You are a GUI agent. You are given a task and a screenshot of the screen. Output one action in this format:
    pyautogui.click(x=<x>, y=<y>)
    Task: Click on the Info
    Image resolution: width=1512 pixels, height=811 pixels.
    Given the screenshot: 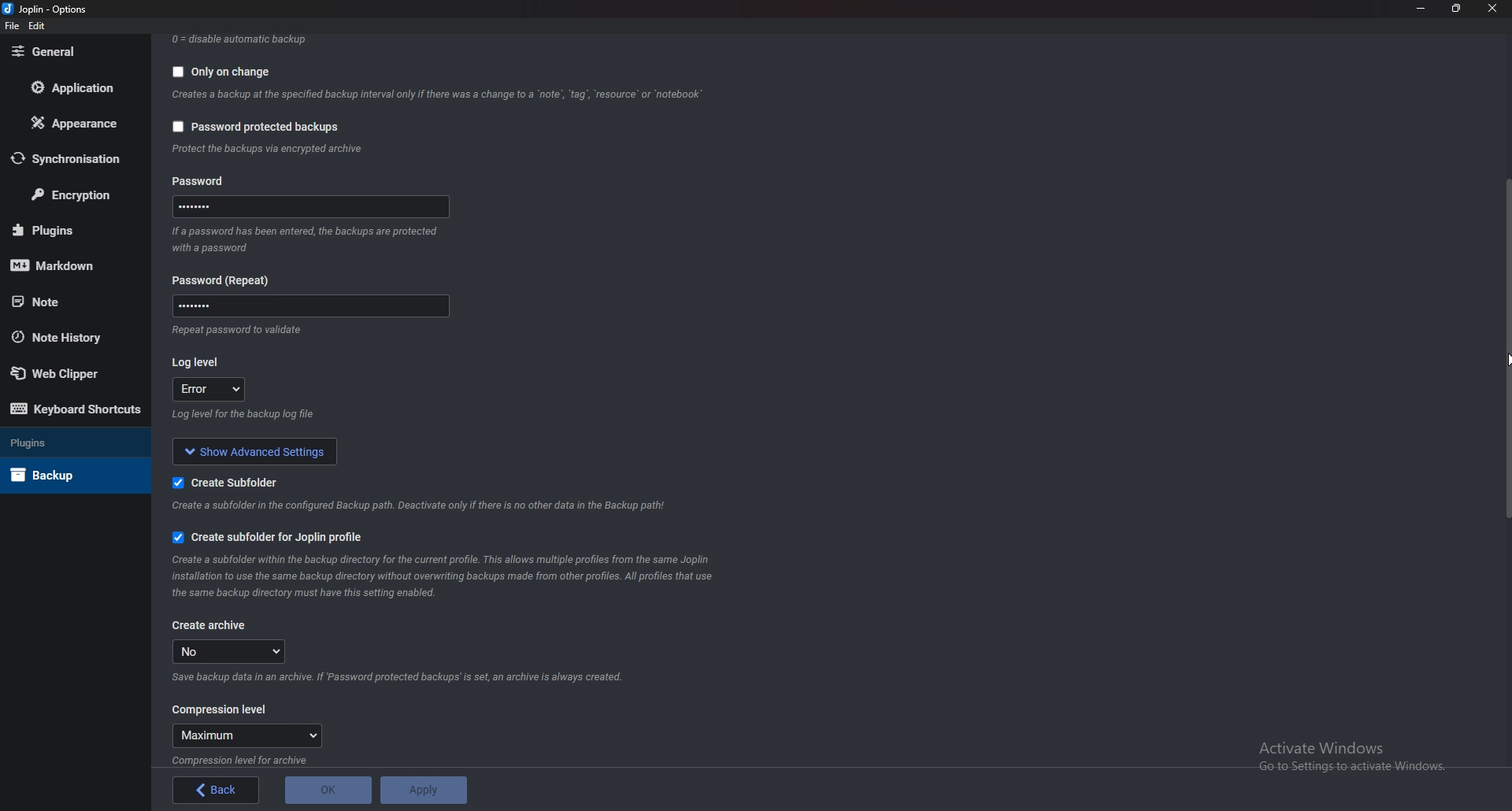 What is the action you would take?
    pyautogui.click(x=406, y=678)
    